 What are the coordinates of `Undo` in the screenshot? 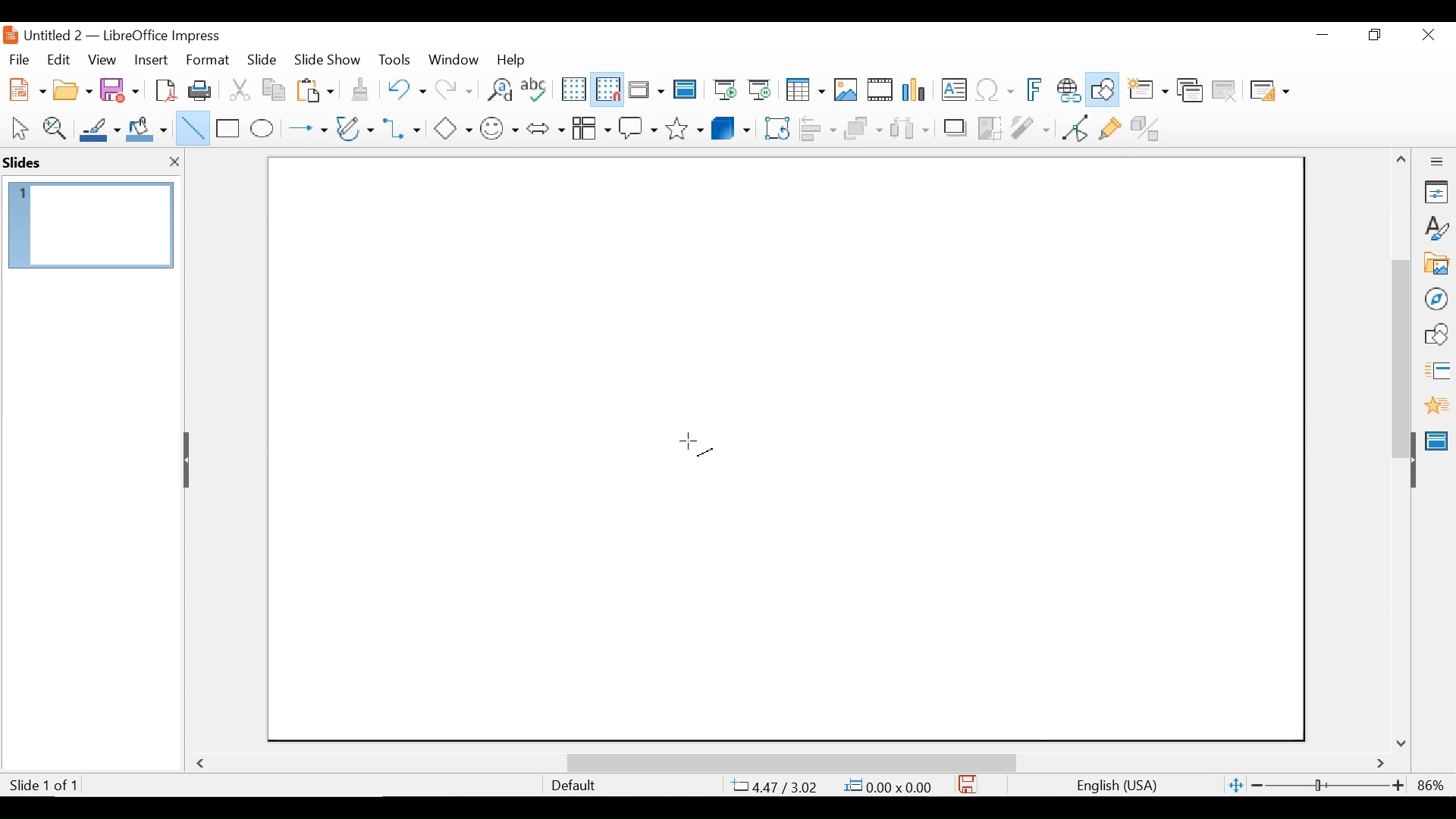 It's located at (404, 88).